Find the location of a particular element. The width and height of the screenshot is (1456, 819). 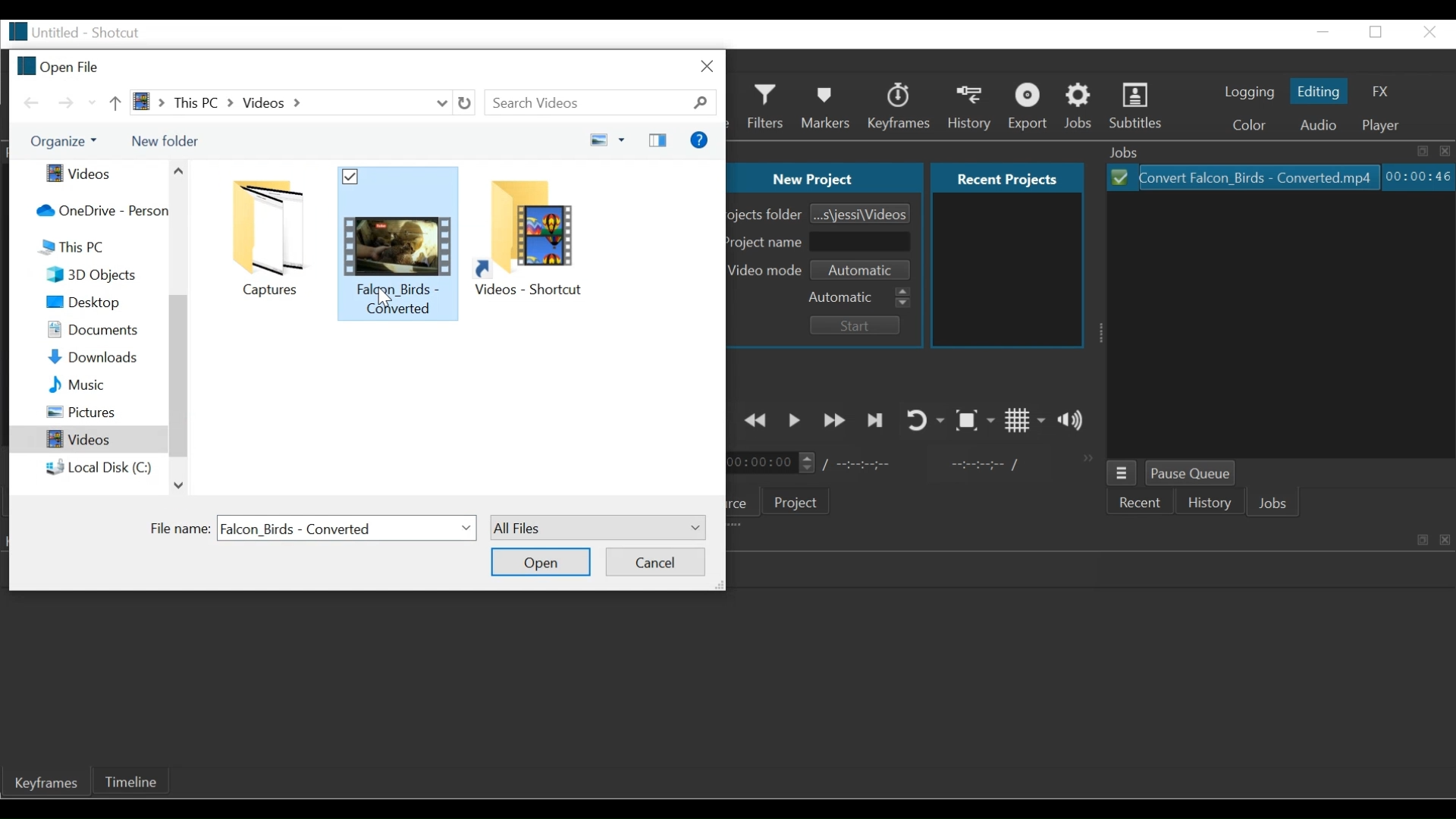

New Project is located at coordinates (825, 177).